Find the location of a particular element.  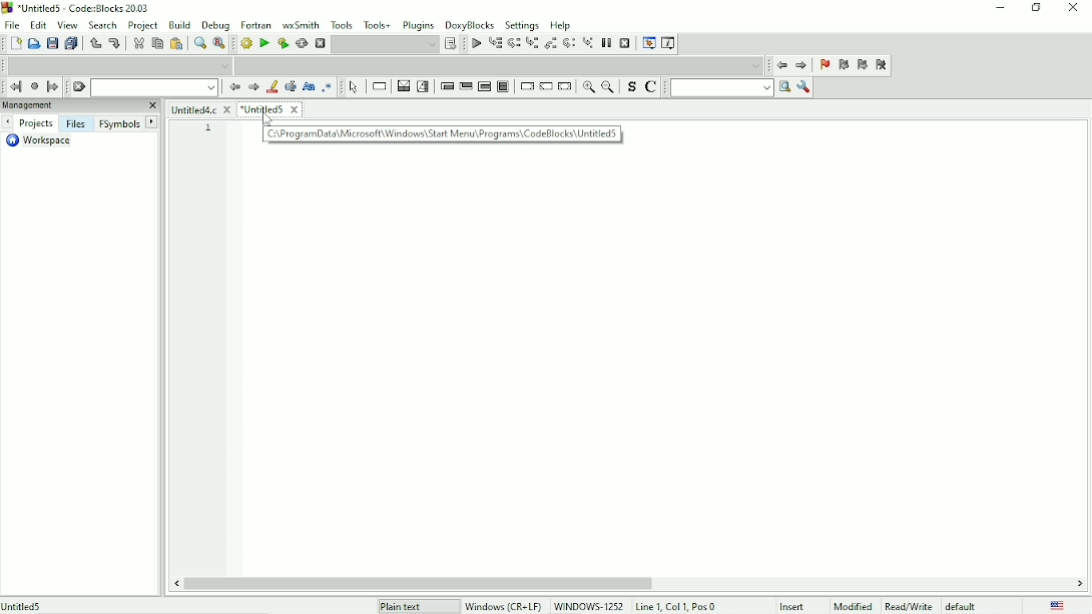

Prev is located at coordinates (233, 87).